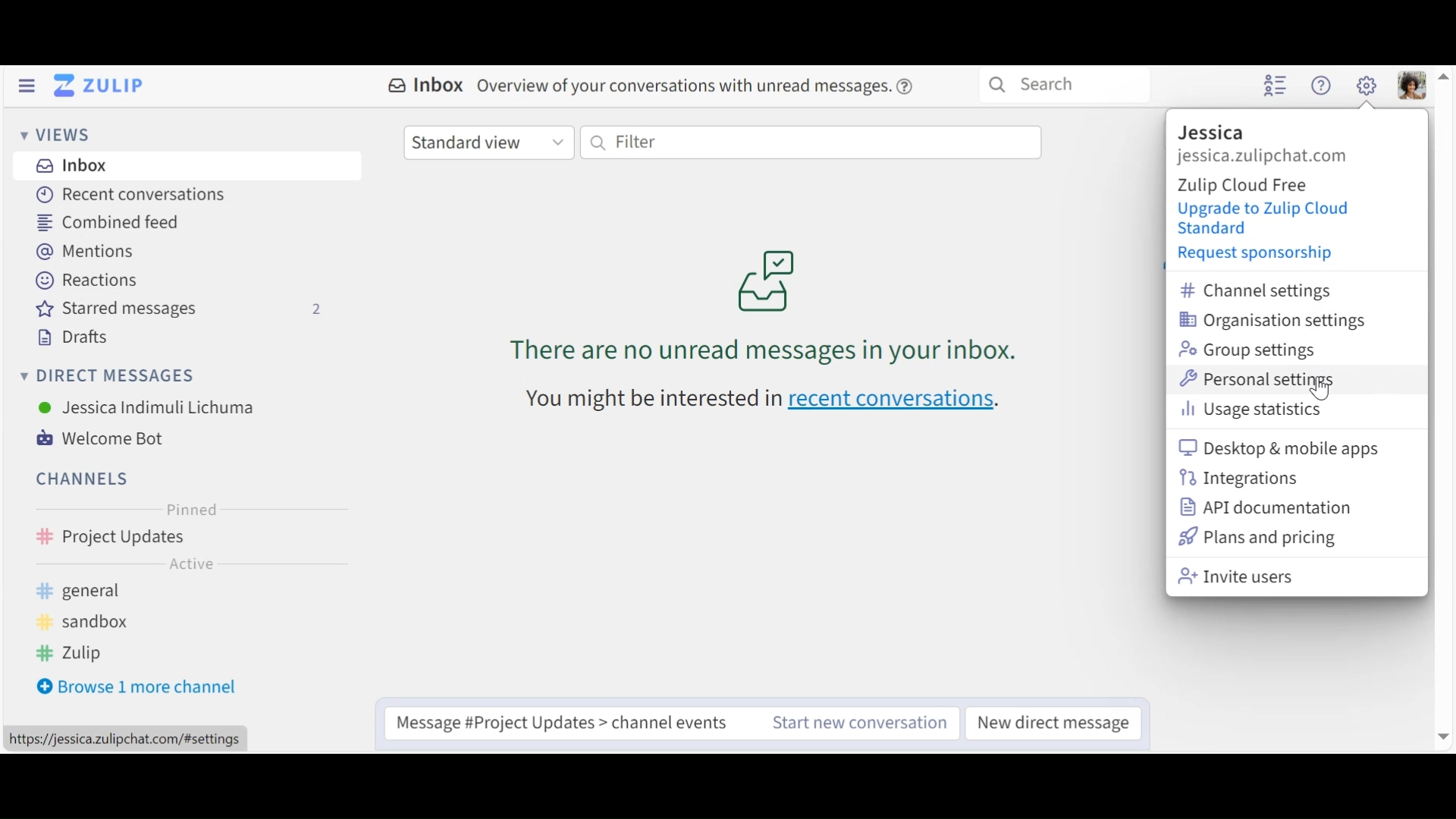  I want to click on Zulip Cloud Free, so click(1254, 185).